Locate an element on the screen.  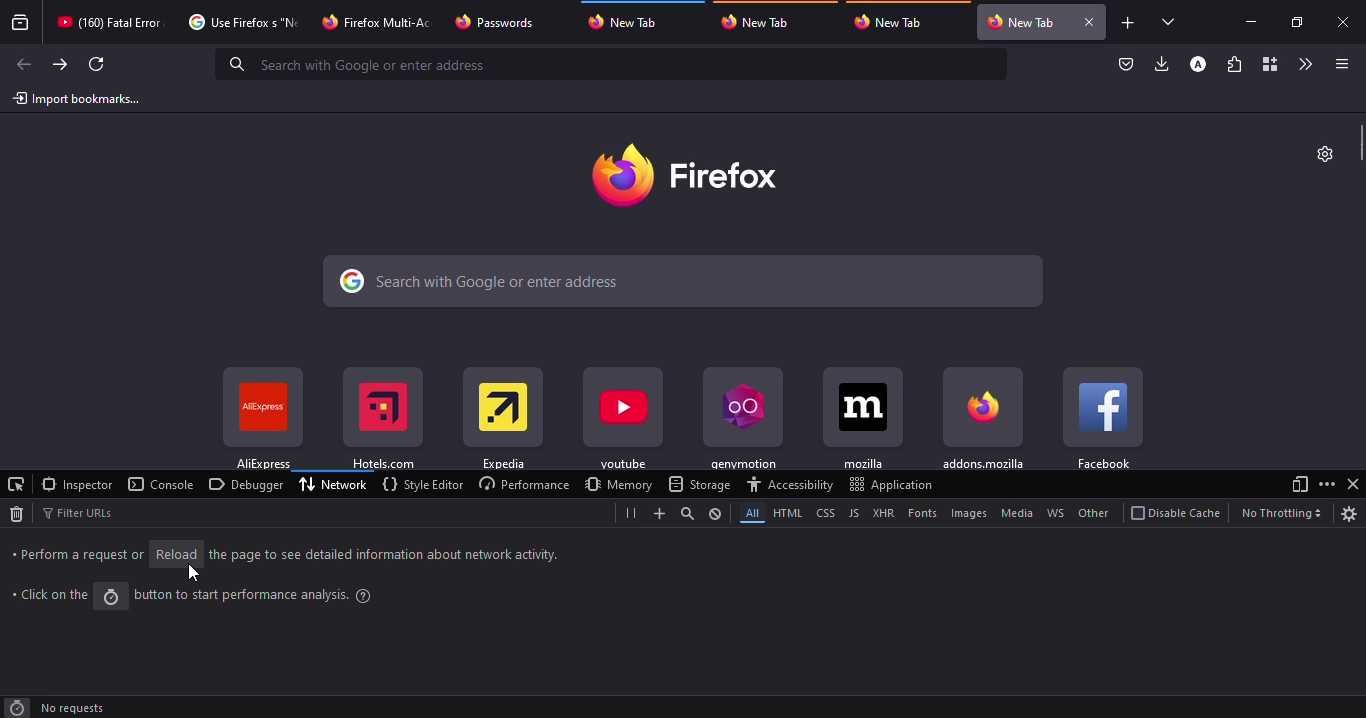
add is located at coordinates (655, 513).